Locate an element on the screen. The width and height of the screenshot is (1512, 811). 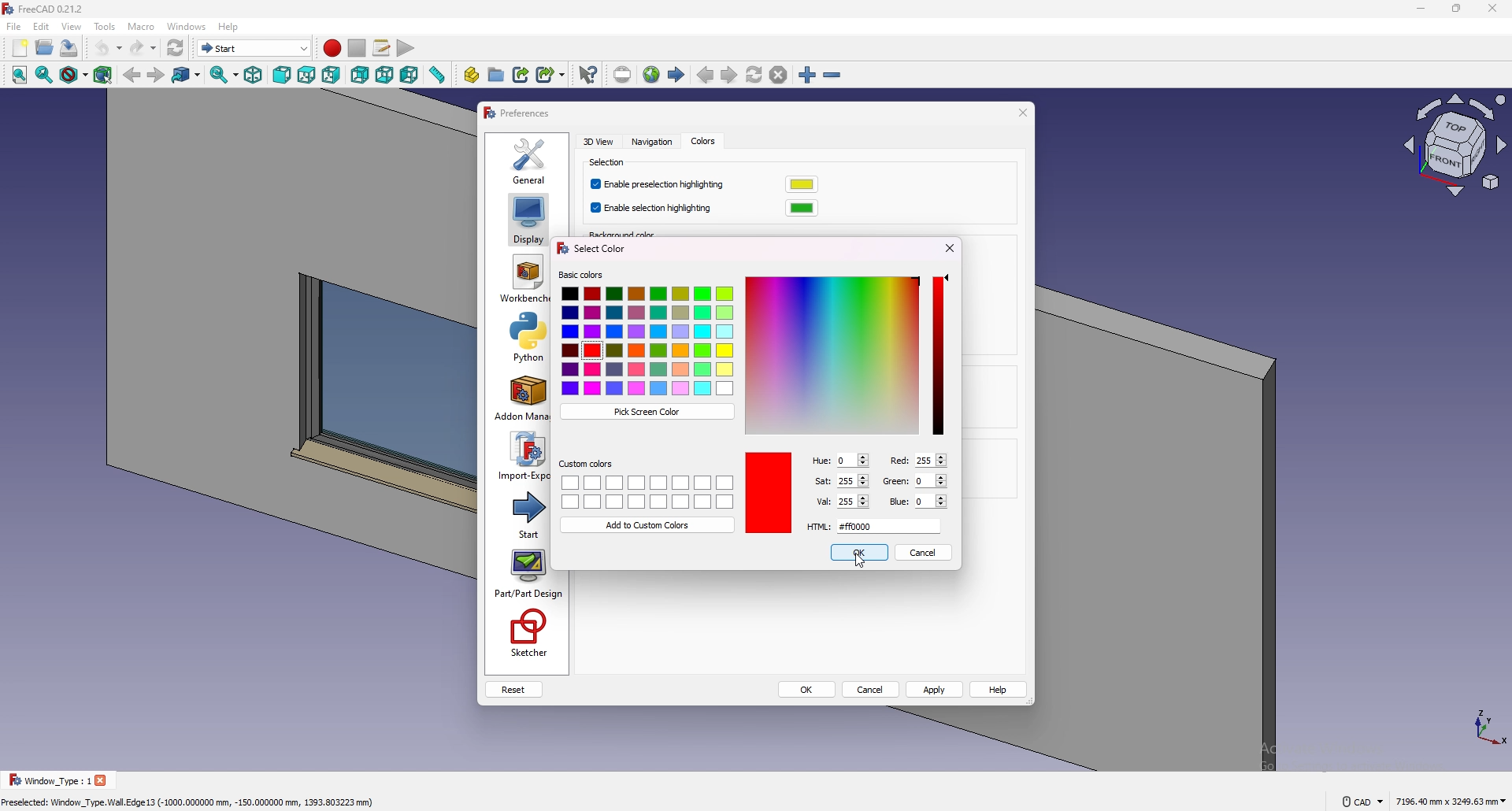
fit selection is located at coordinates (44, 75).